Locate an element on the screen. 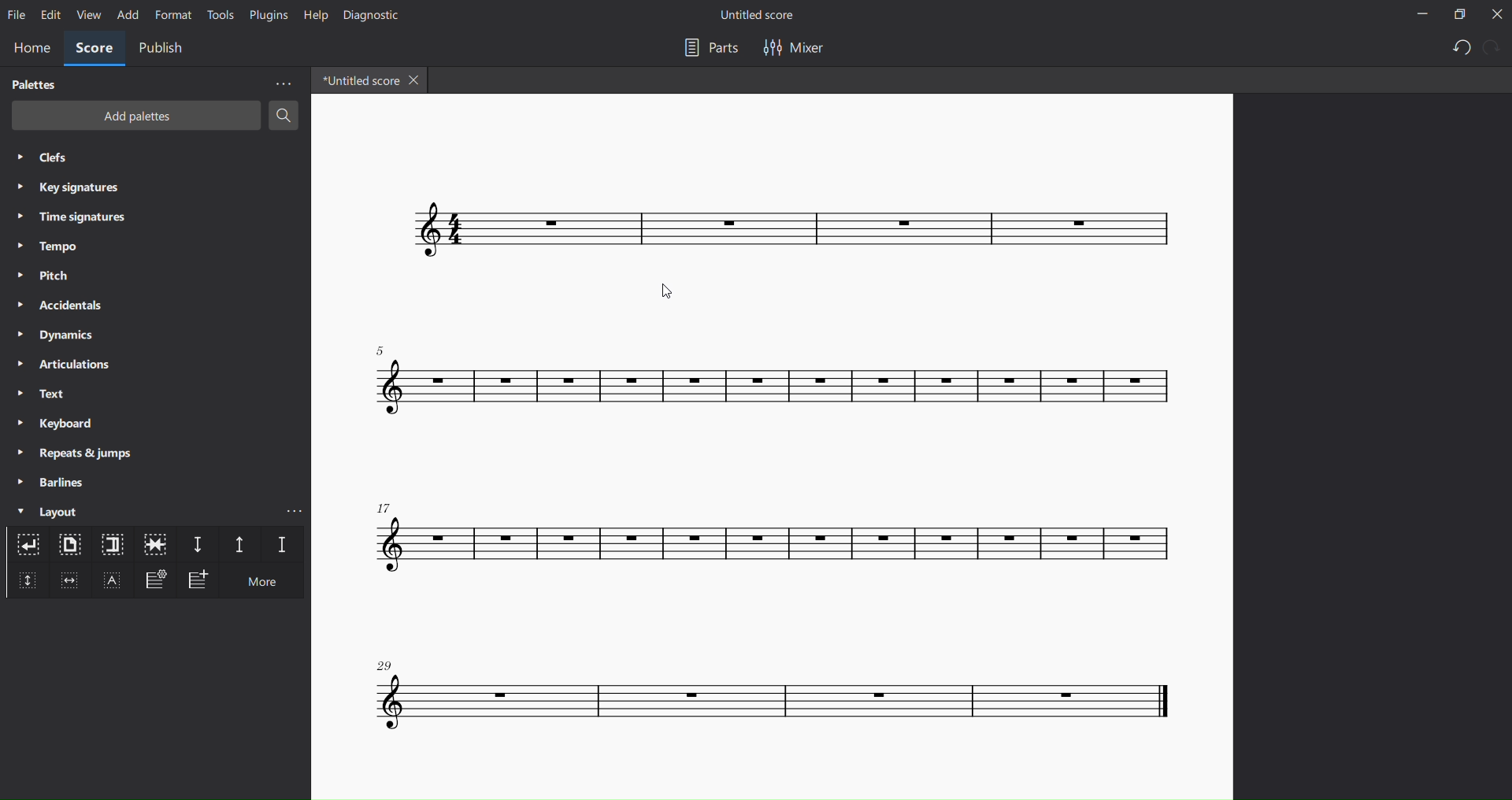  parts is located at coordinates (706, 48).